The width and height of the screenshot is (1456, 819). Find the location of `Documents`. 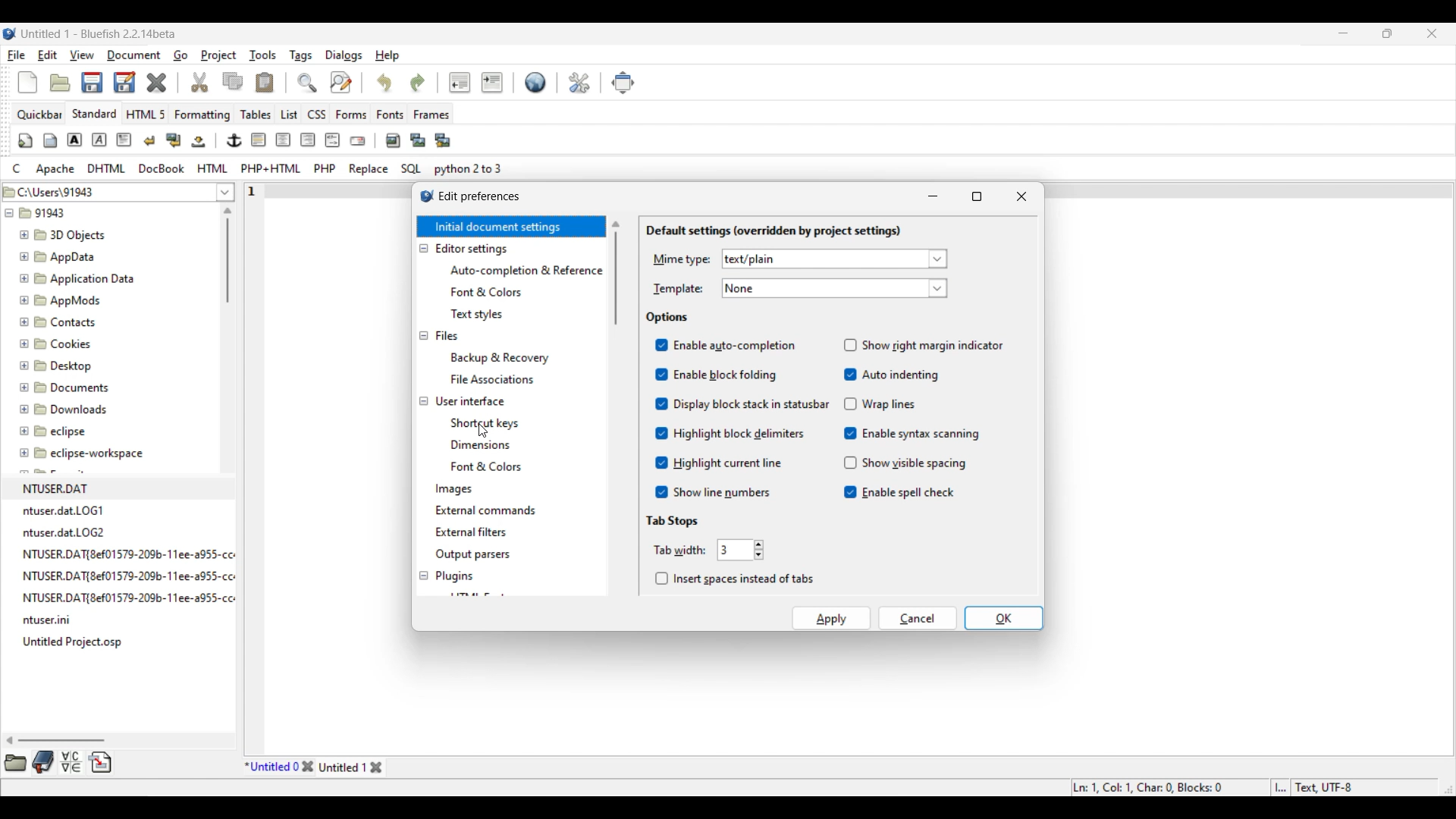

Documents is located at coordinates (72, 386).